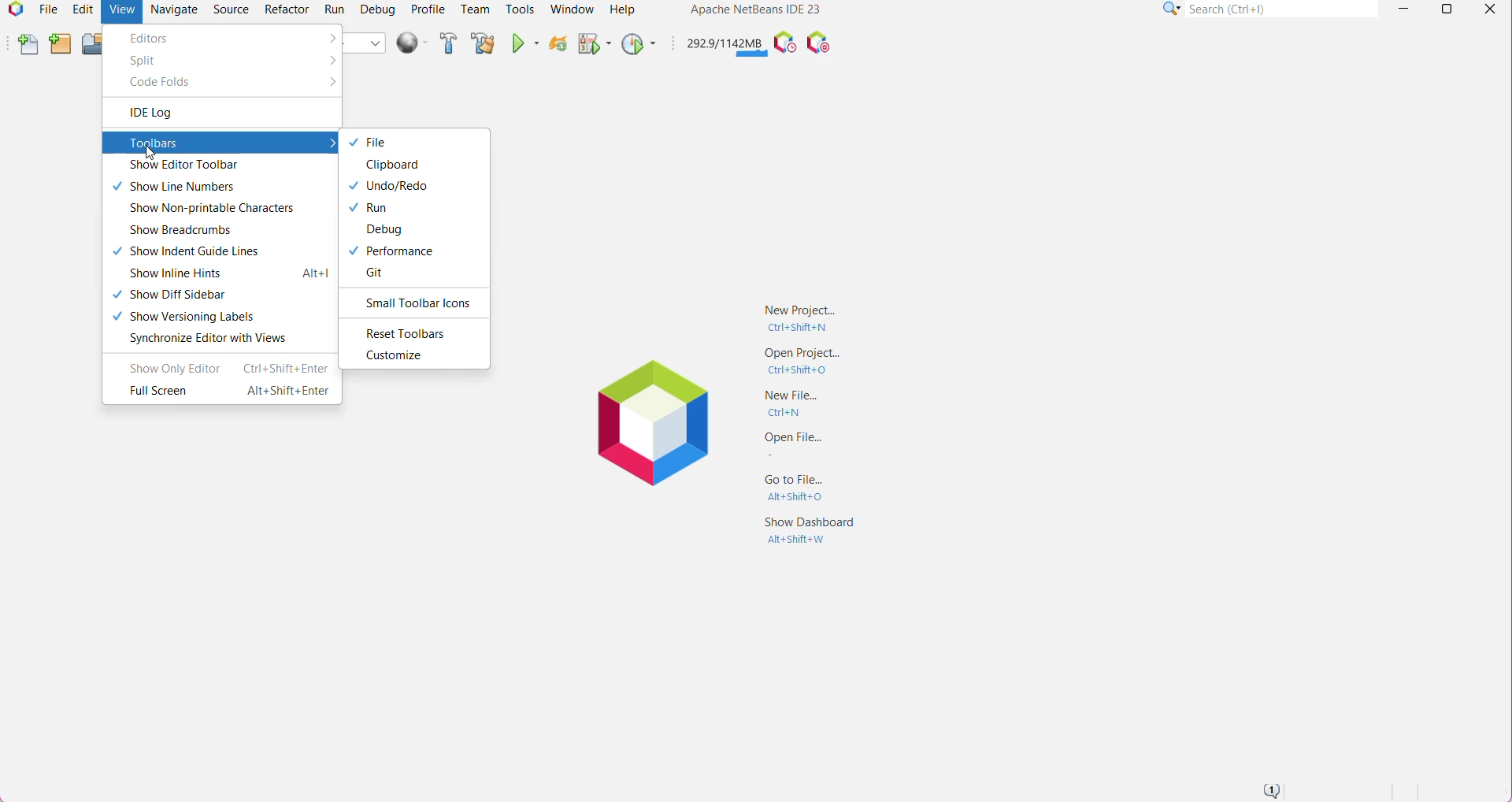 The image size is (1512, 802). I want to click on Show Non-printable Characters, so click(210, 209).